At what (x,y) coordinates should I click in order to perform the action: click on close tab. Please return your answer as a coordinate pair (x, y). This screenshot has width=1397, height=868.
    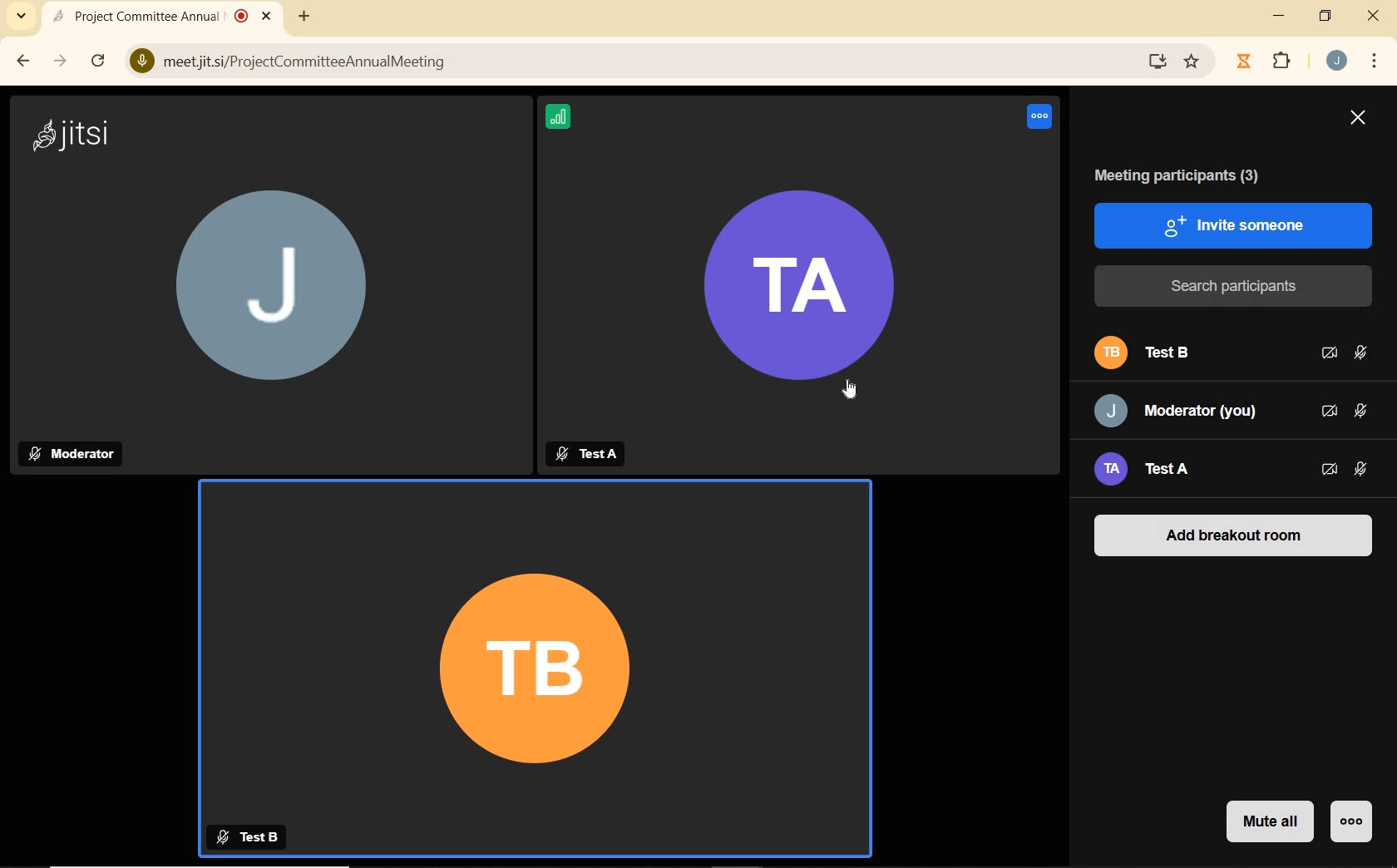
    Looking at the image, I should click on (265, 17).